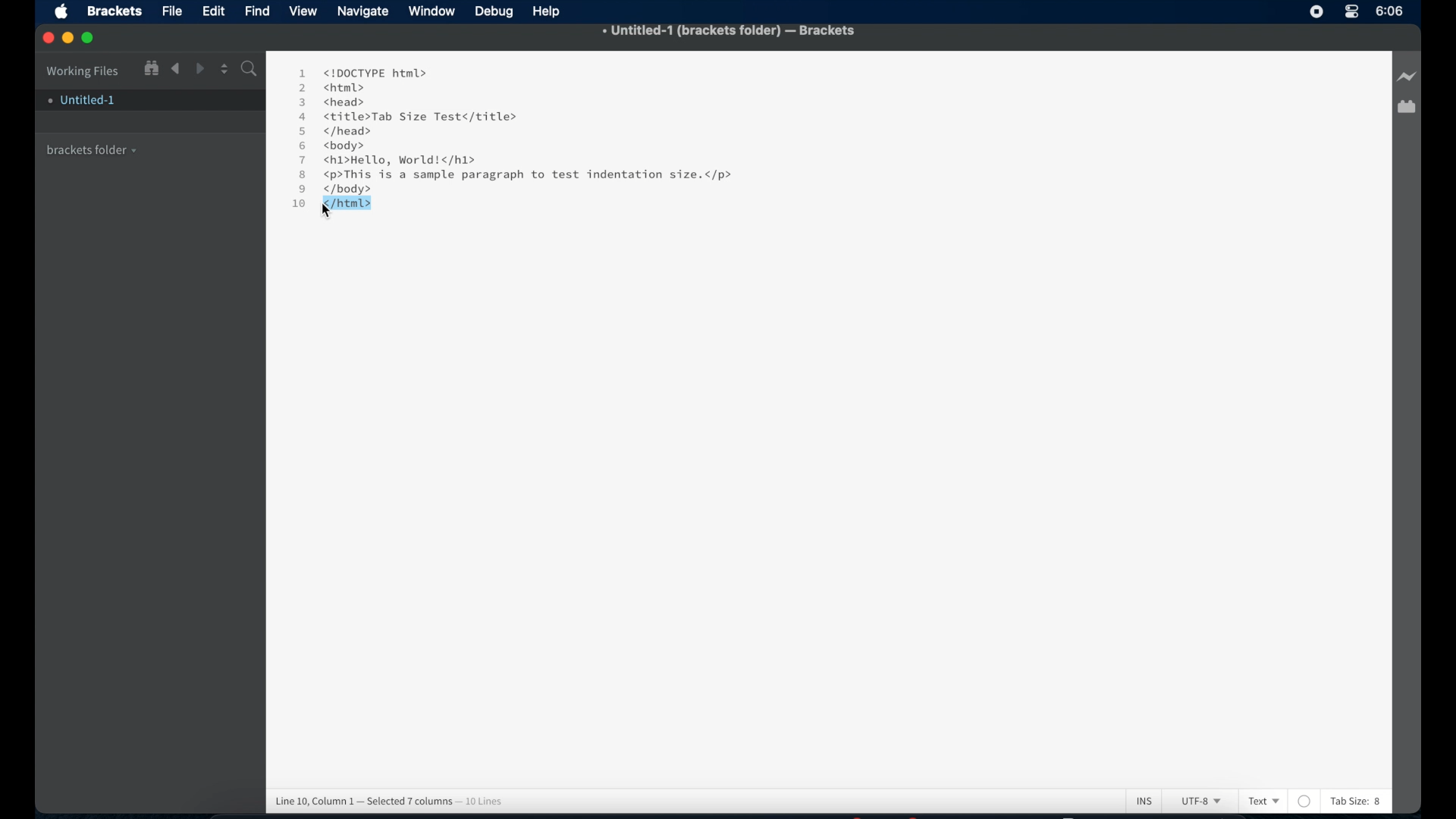 The height and width of the screenshot is (819, 1456). Describe the element at coordinates (394, 799) in the screenshot. I see `Line 10, Column 1-Selected 7 columns-10 Lines` at that location.